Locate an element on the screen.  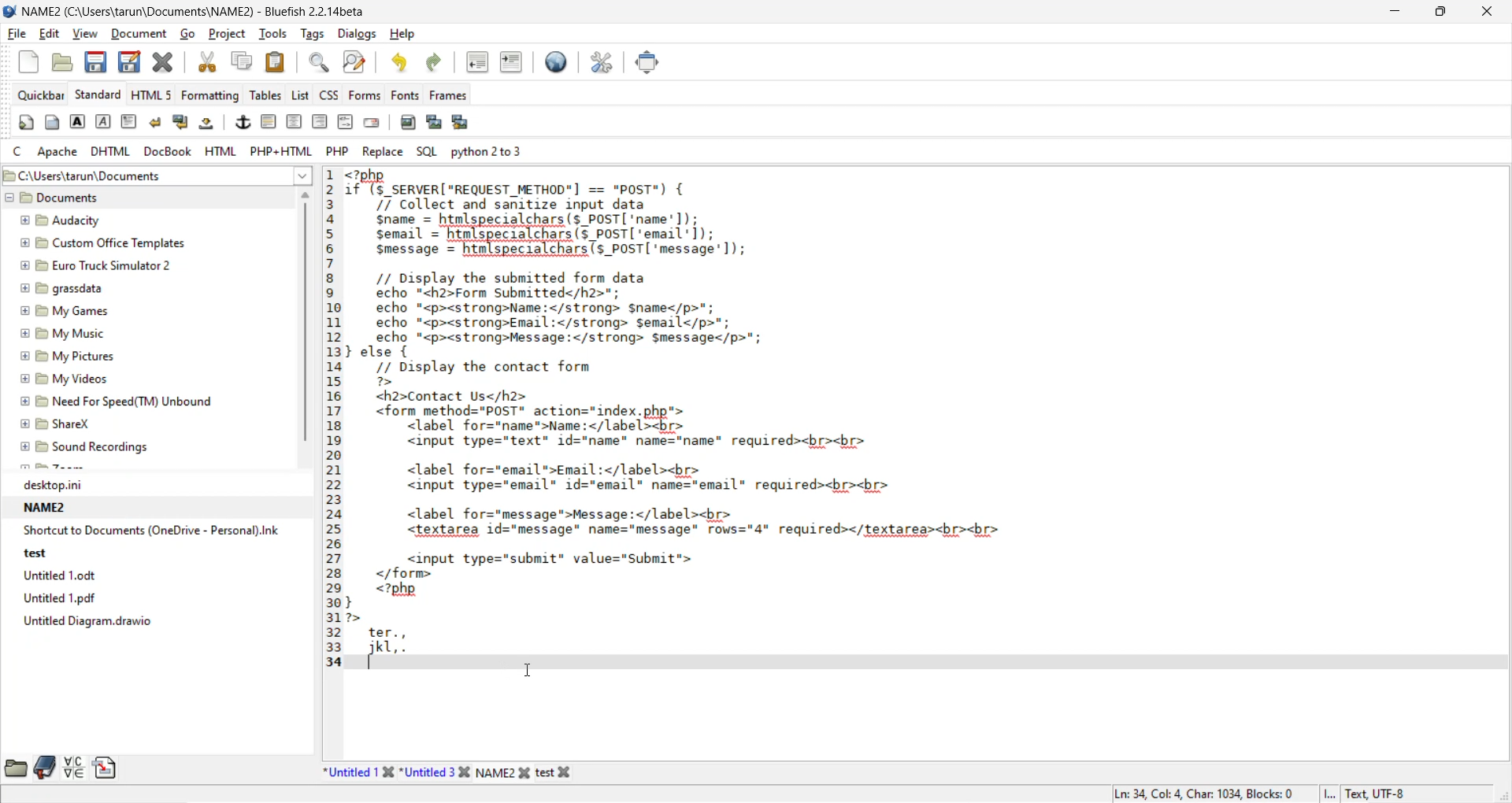
Line Number is located at coordinates (332, 418).